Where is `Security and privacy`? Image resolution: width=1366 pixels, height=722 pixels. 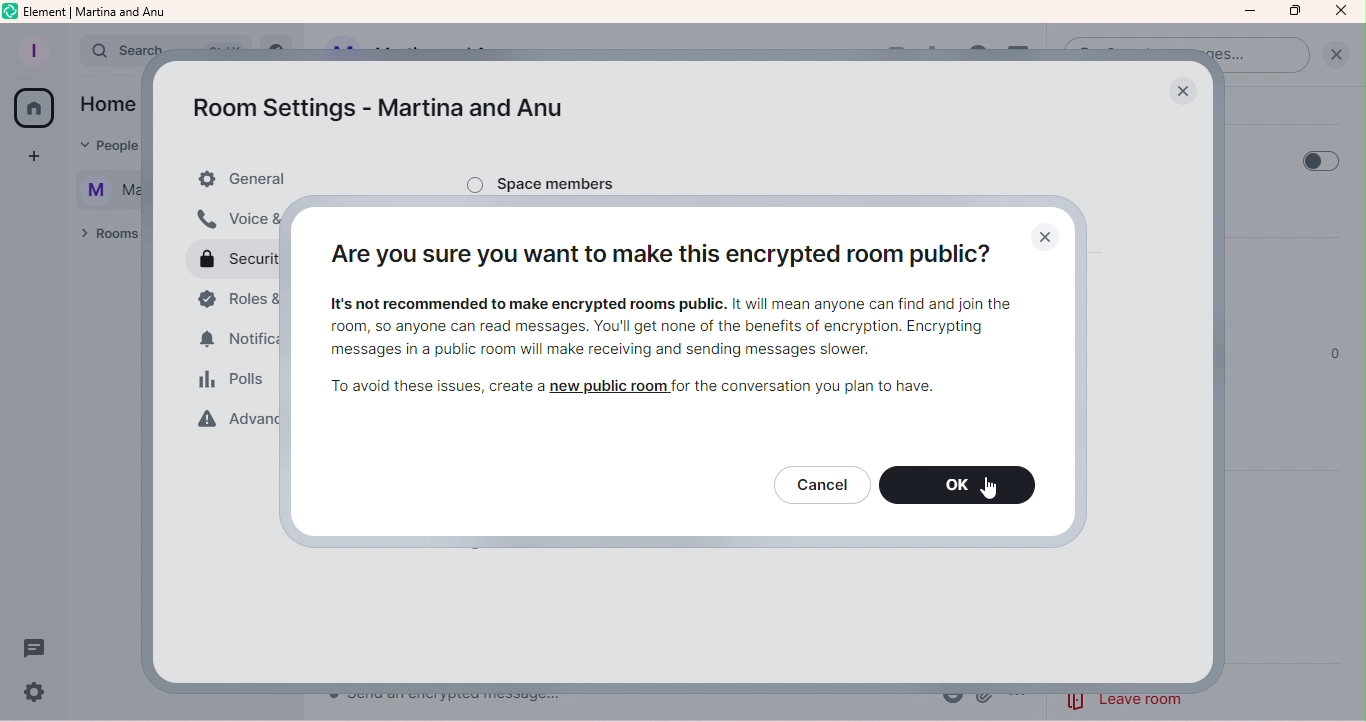 Security and privacy is located at coordinates (233, 261).